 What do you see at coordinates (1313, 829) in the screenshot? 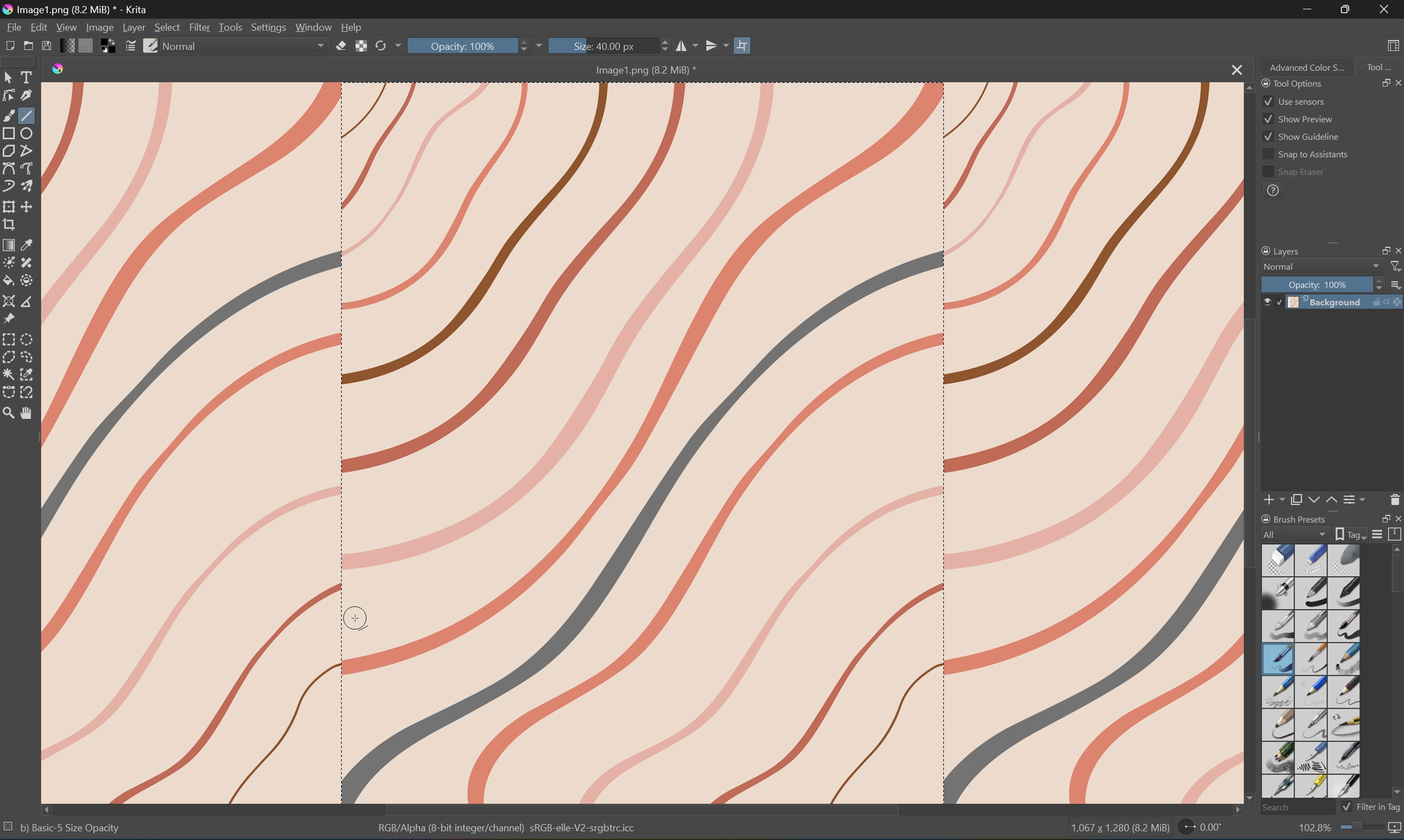
I see `102.8%` at bounding box center [1313, 829].